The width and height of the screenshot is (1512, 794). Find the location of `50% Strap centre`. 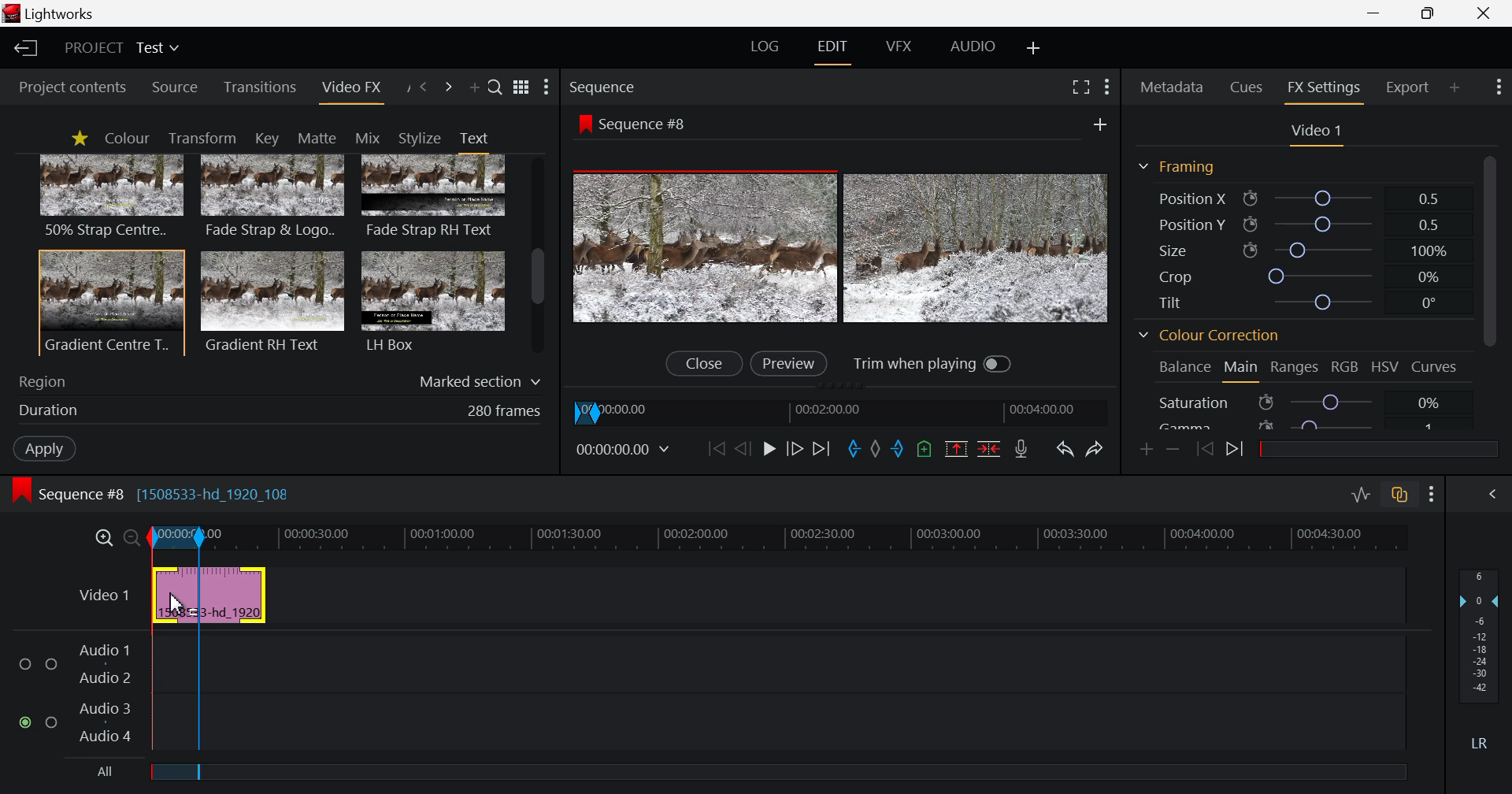

50% Strap centre is located at coordinates (113, 195).